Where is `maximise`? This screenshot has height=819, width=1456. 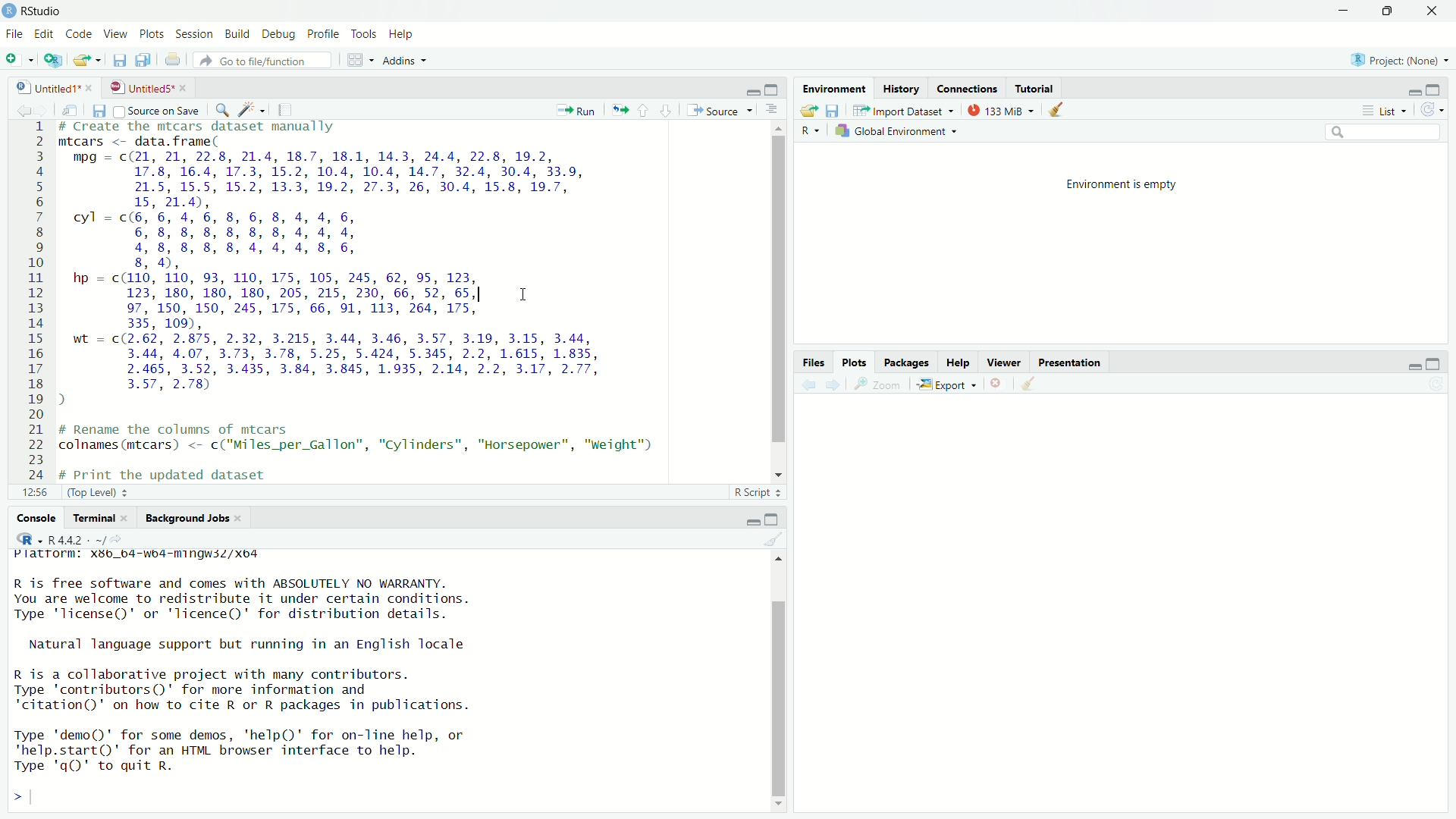 maximise is located at coordinates (775, 518).